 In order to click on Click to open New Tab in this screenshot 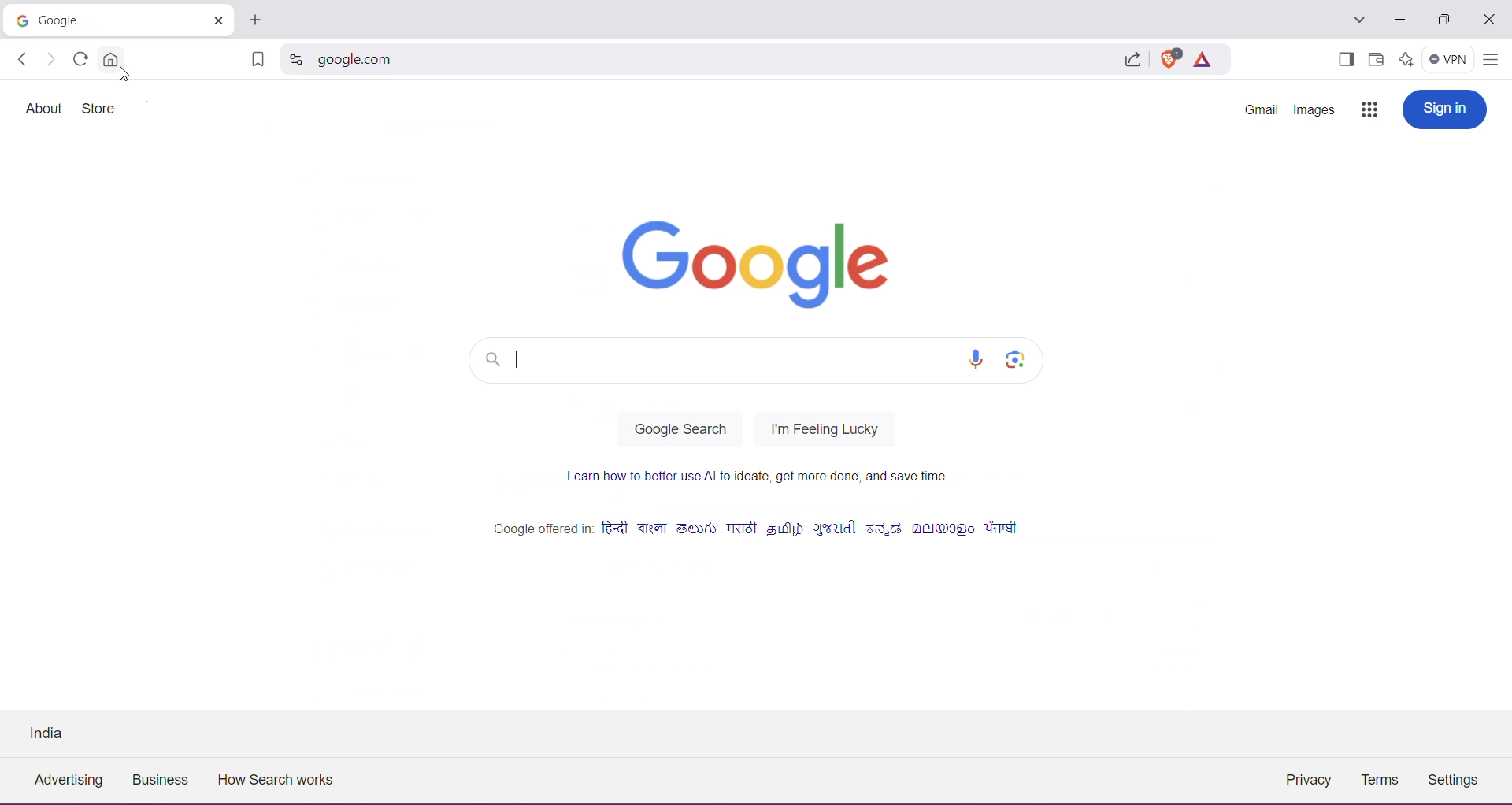, I will do `click(255, 20)`.